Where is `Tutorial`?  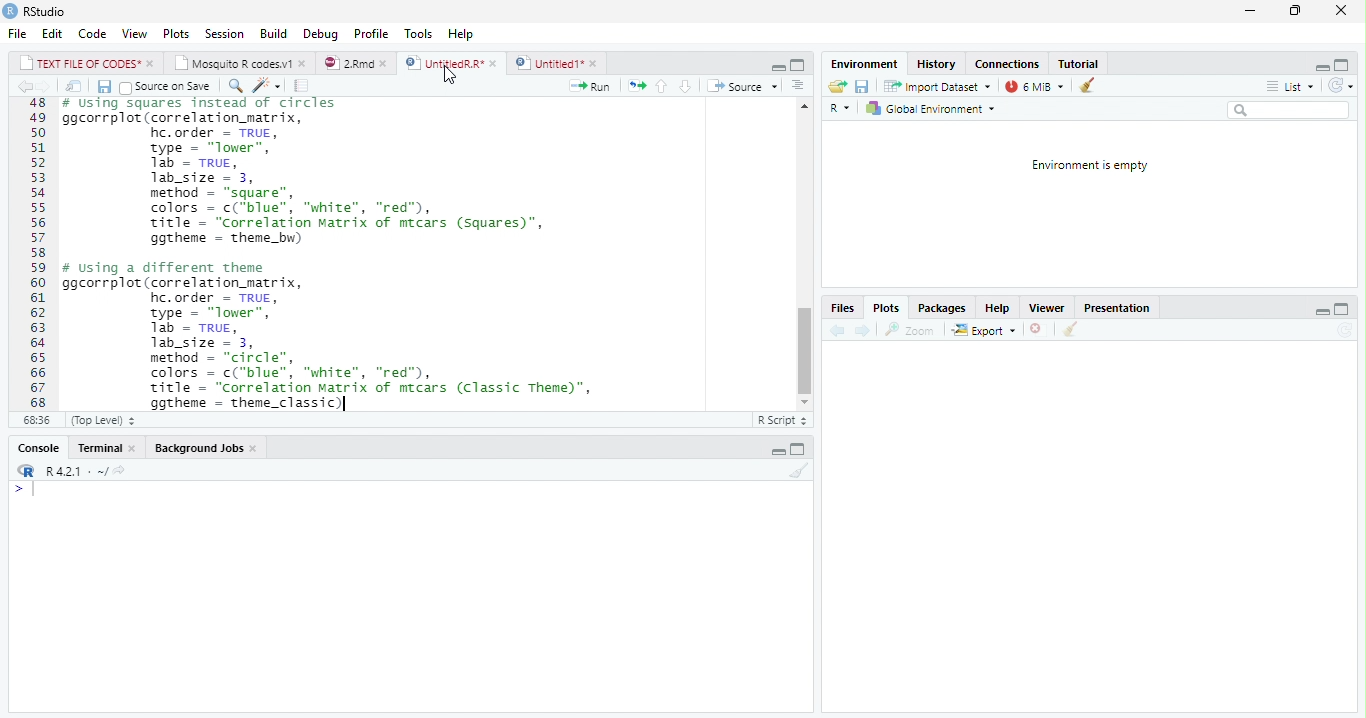 Tutorial is located at coordinates (1080, 63).